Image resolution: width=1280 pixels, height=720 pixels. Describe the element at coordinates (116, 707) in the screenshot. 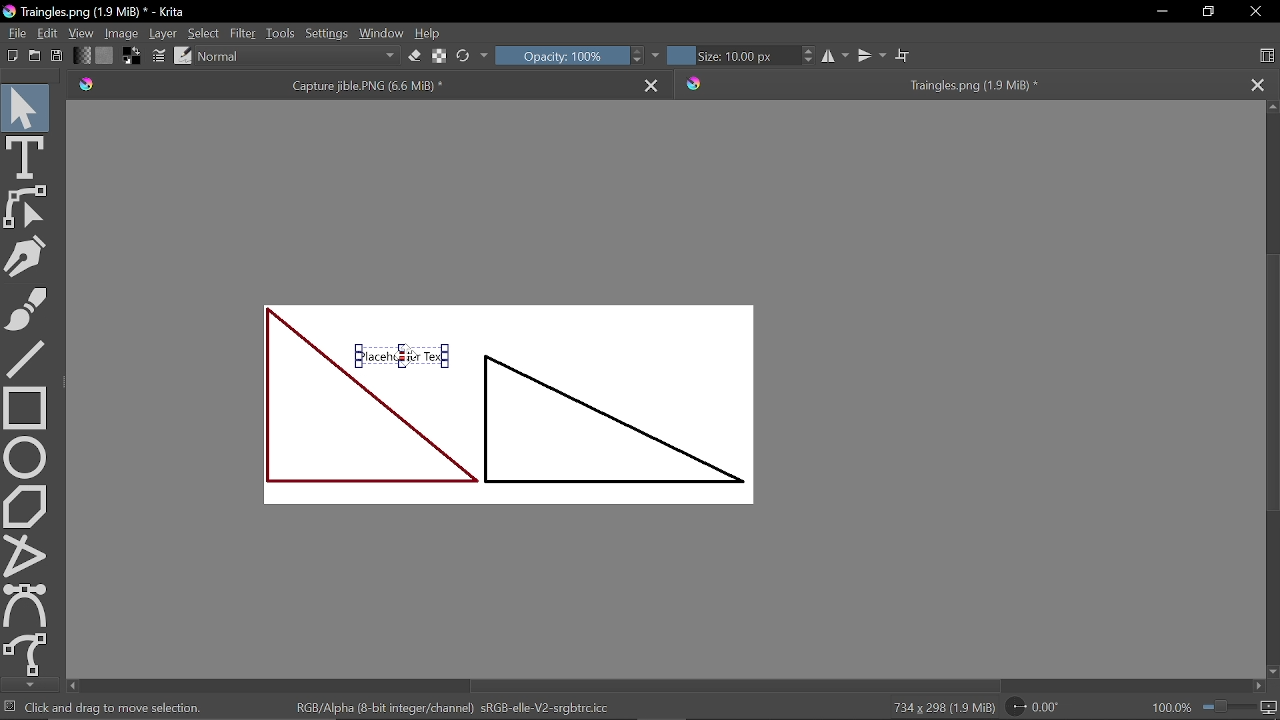

I see `Click and drag to move selection.` at that location.